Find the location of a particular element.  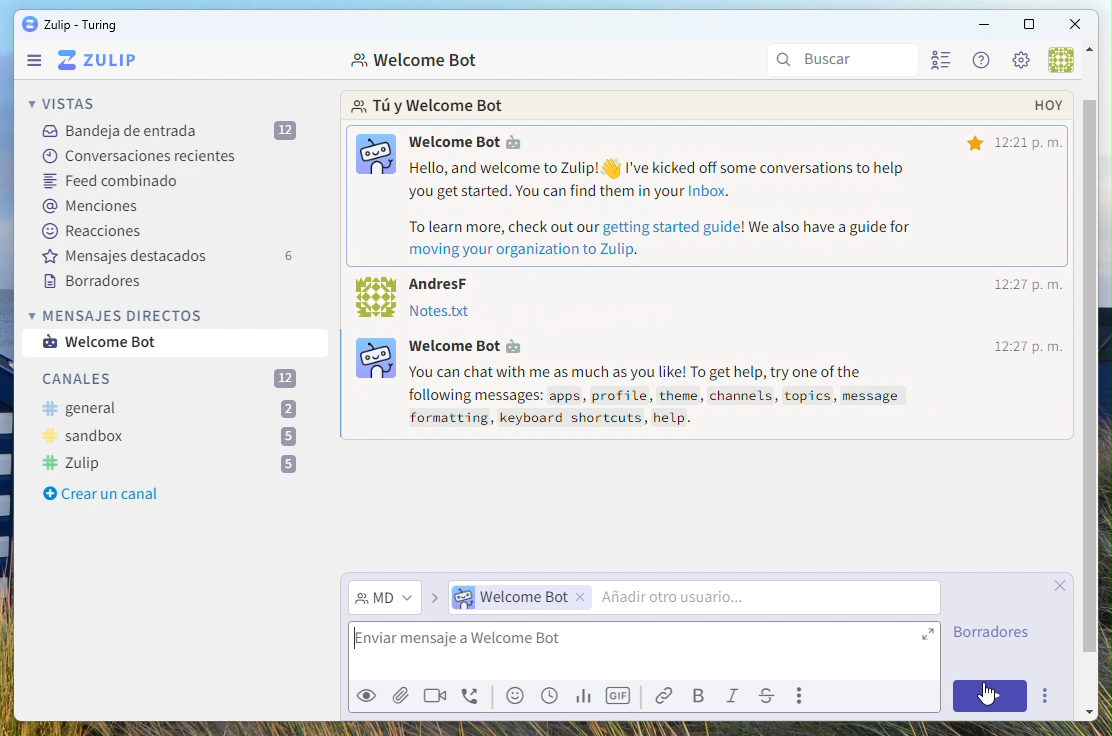

Face is located at coordinates (518, 696).